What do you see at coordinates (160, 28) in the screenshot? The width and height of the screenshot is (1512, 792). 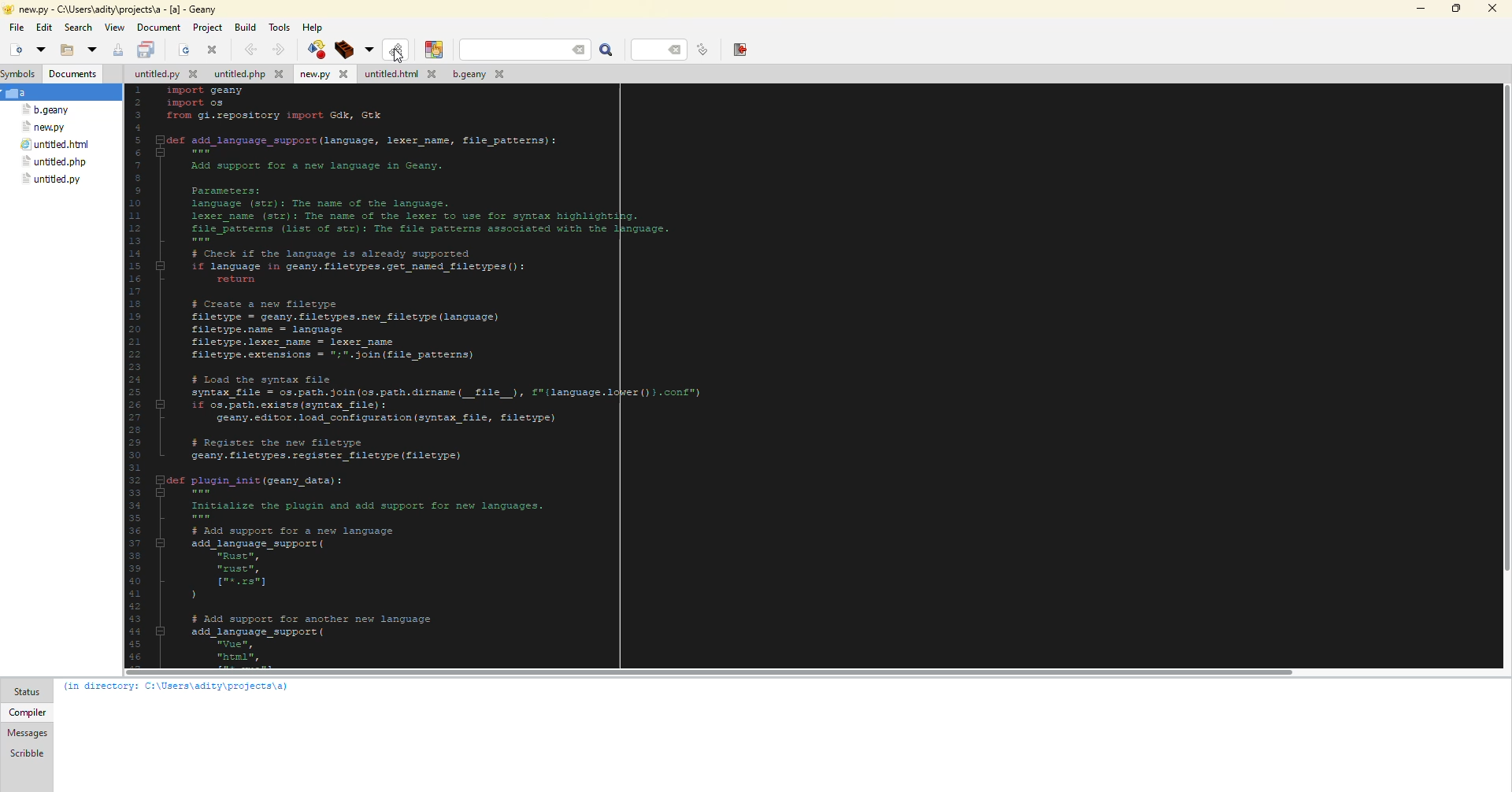 I see `document` at bounding box center [160, 28].